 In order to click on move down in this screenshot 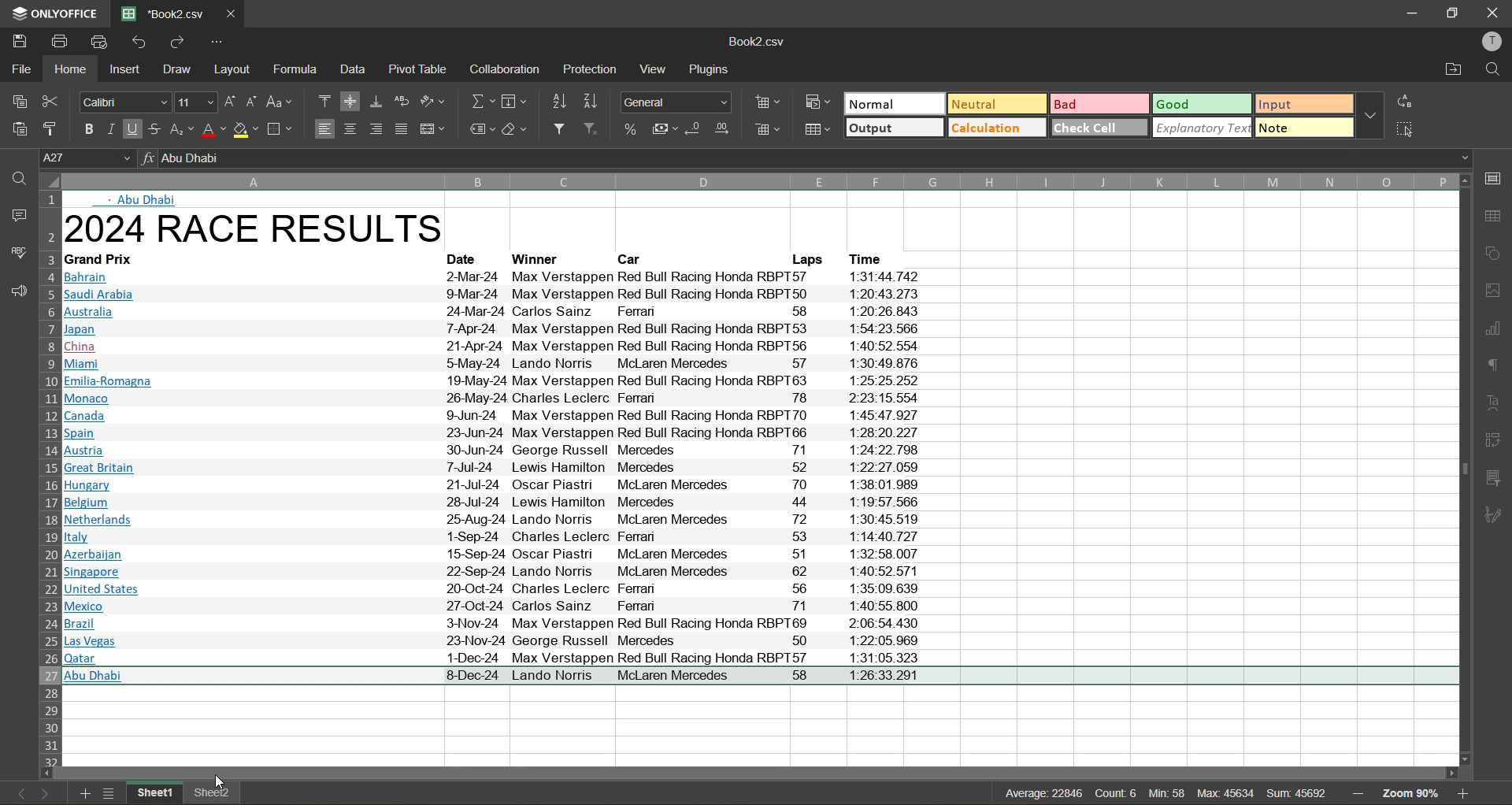, I will do `click(1461, 759)`.